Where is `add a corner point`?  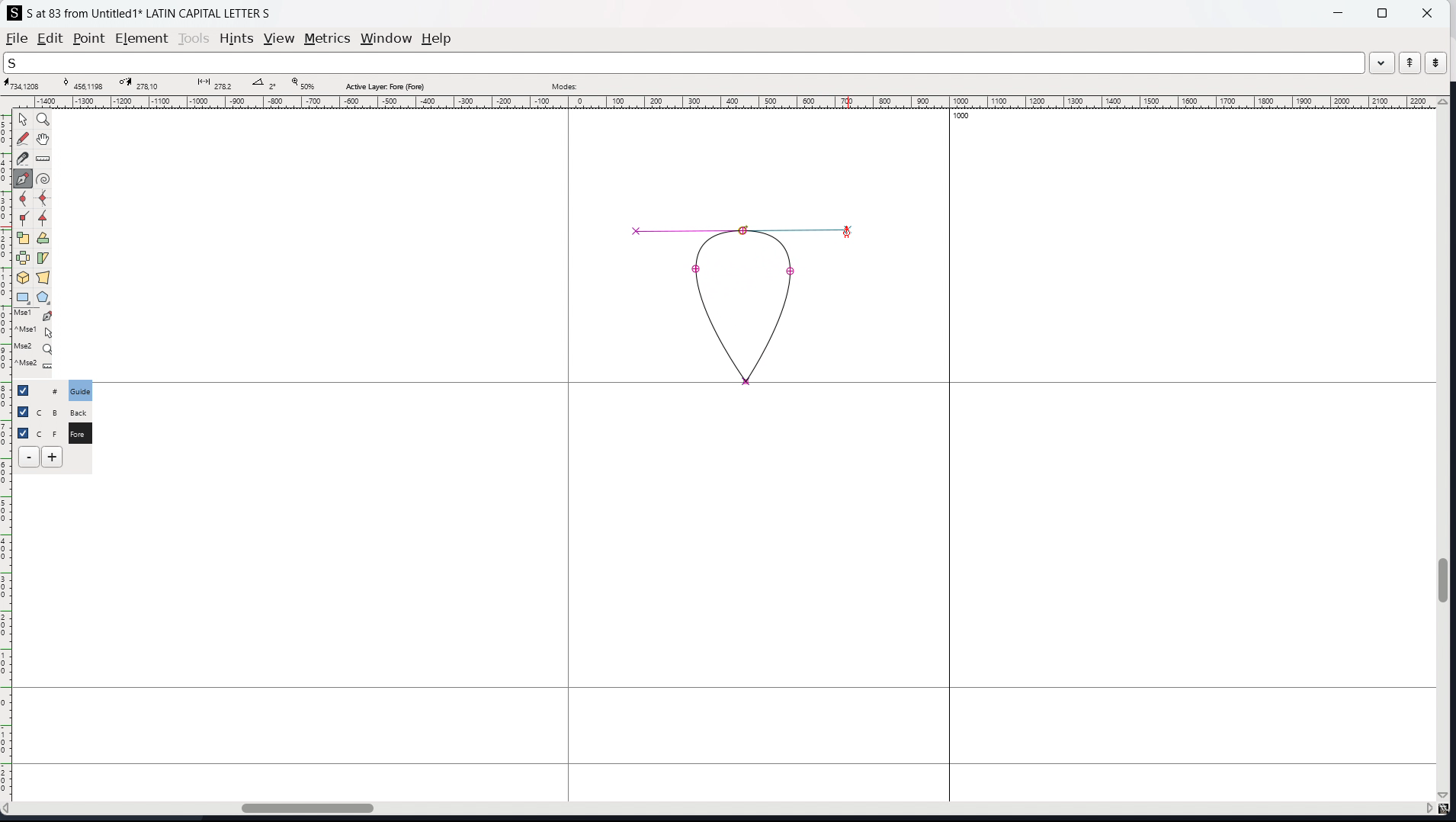
add a corner point is located at coordinates (24, 220).